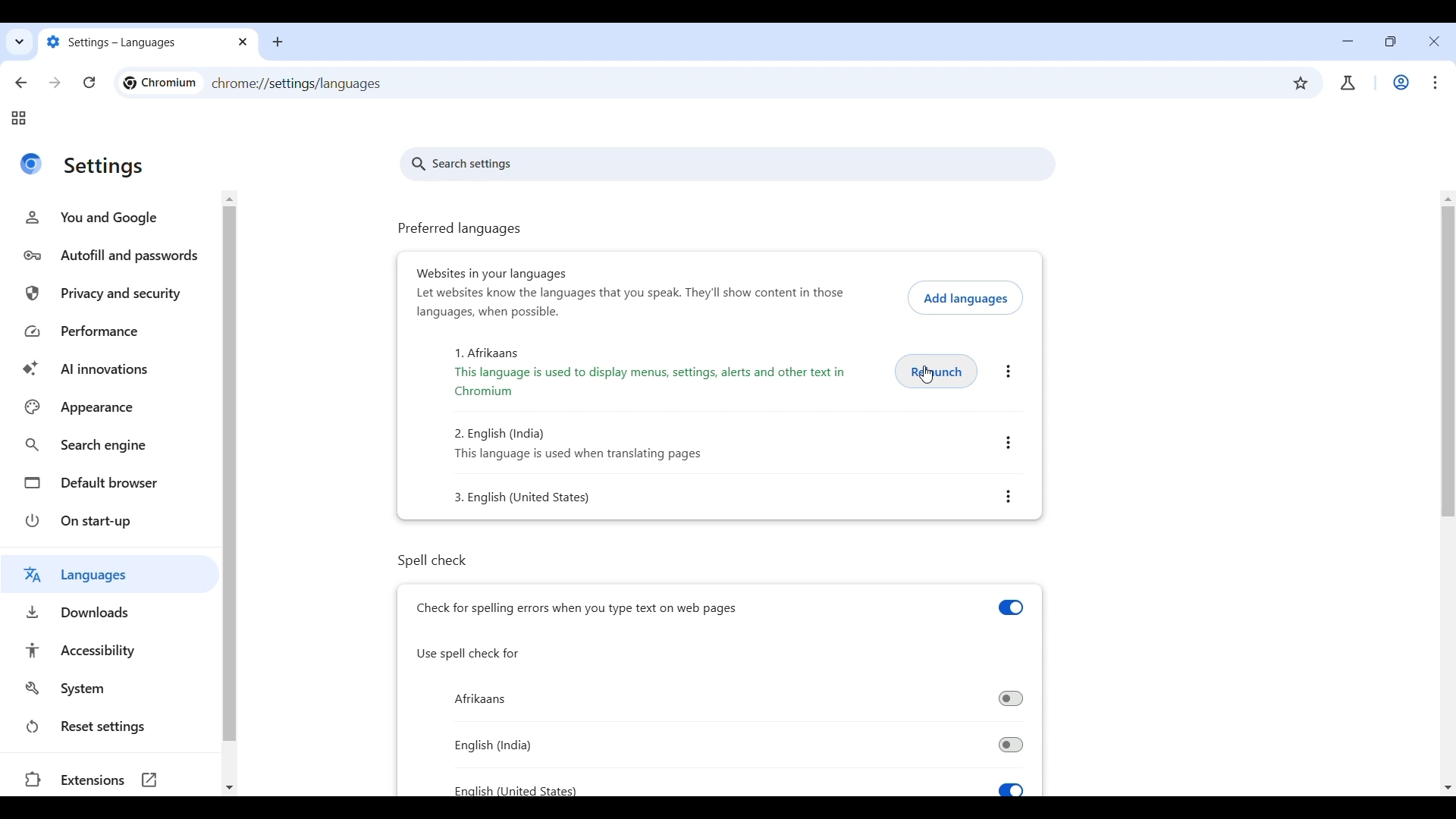  What do you see at coordinates (1435, 42) in the screenshot?
I see `Close interface` at bounding box center [1435, 42].